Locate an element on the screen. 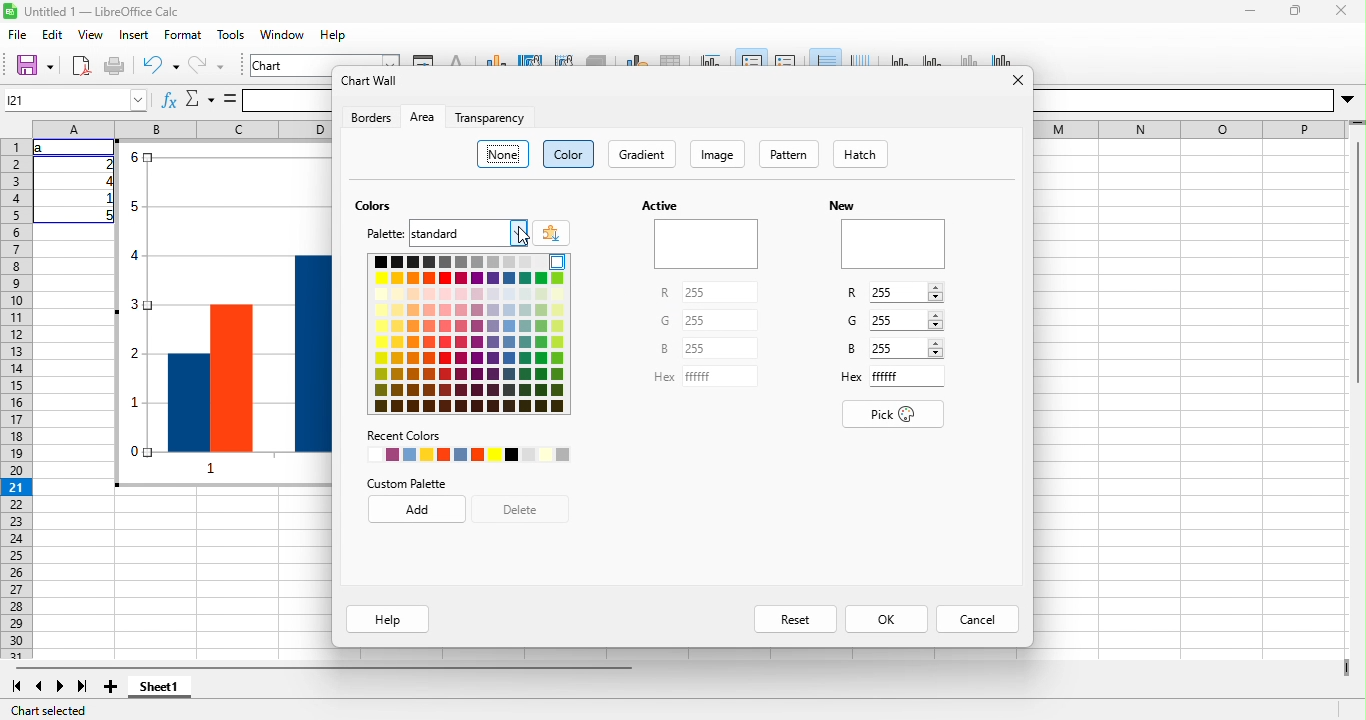  gradient is located at coordinates (642, 154).